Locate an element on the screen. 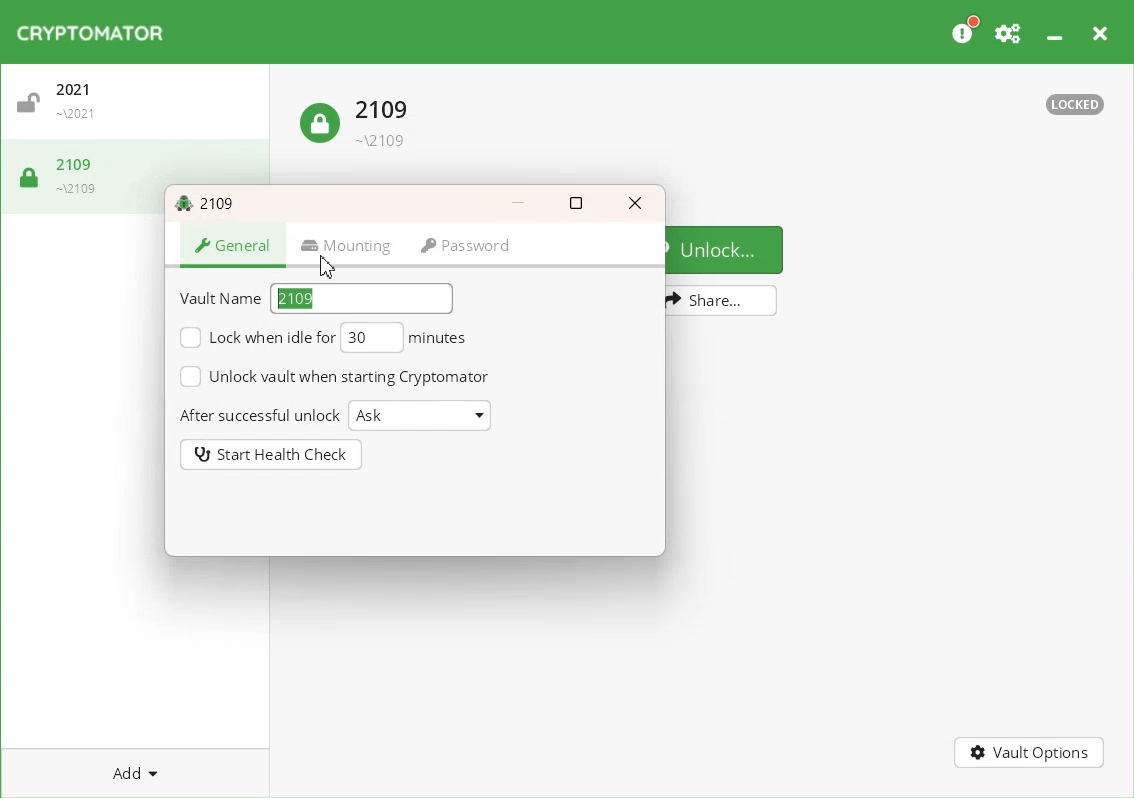  Ask is located at coordinates (419, 415).